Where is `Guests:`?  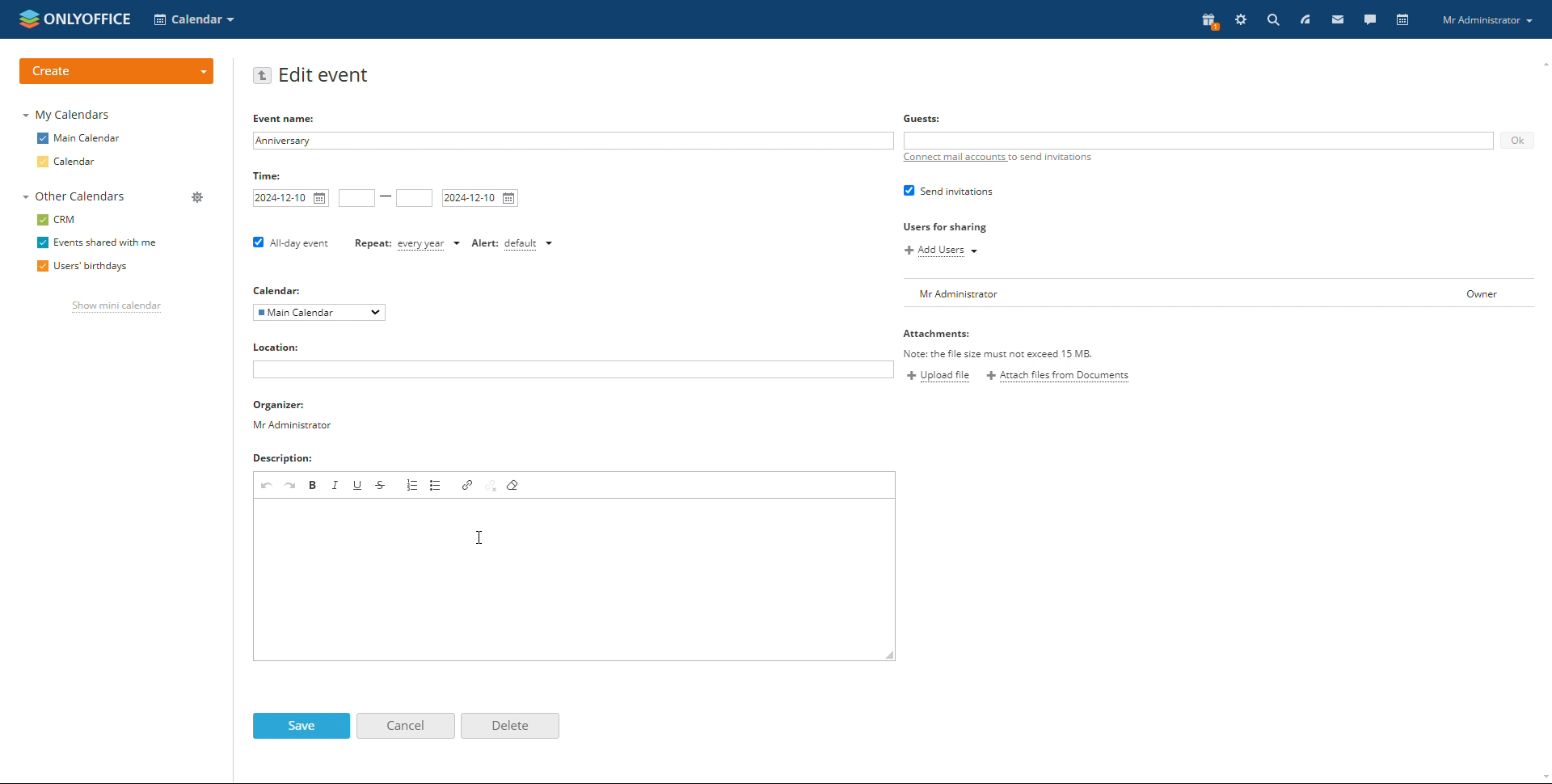 Guests: is located at coordinates (921, 117).